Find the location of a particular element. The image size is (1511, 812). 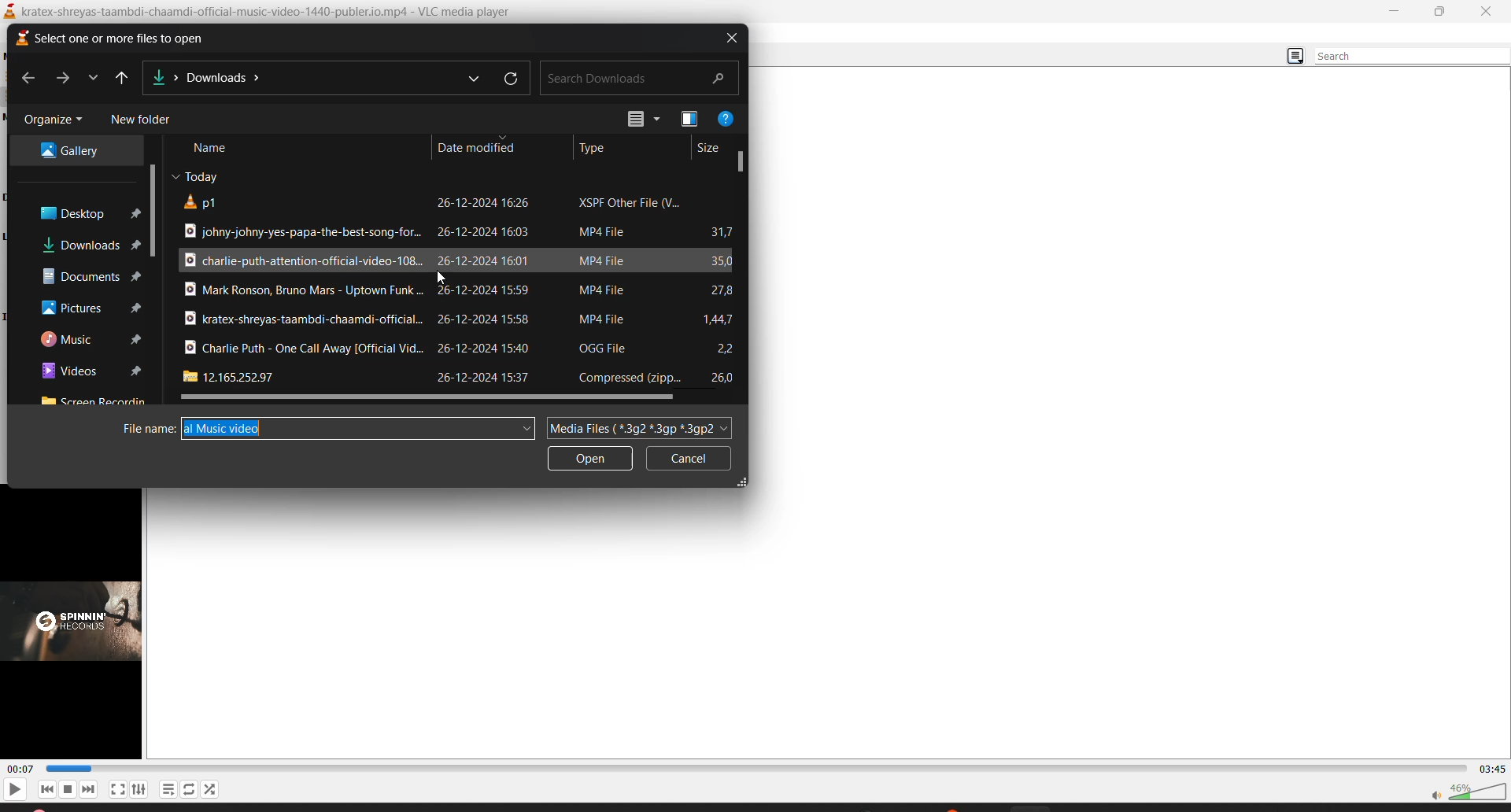

file size is located at coordinates (715, 316).